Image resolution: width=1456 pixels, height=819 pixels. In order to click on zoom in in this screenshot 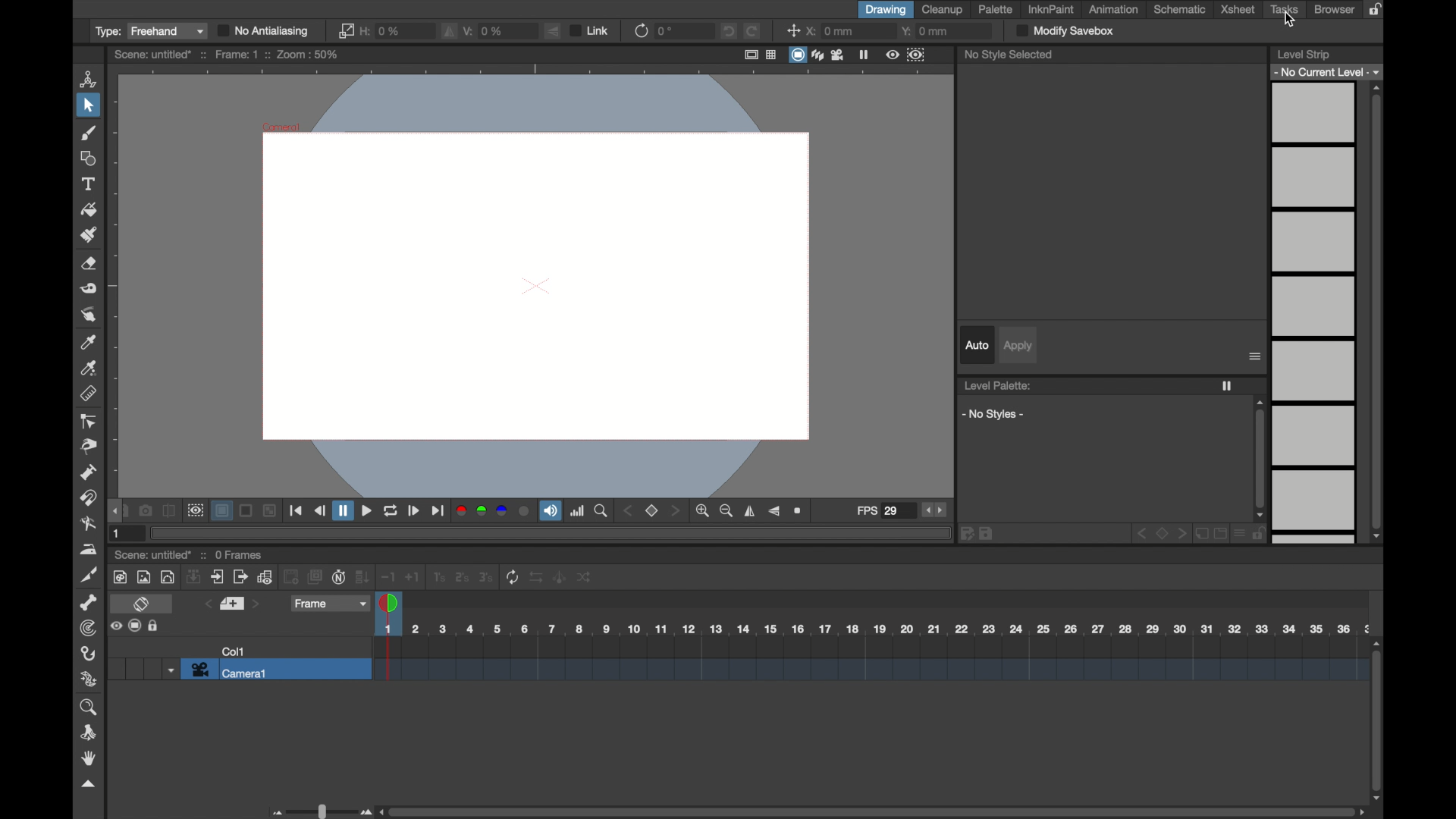, I will do `click(702, 511)`.